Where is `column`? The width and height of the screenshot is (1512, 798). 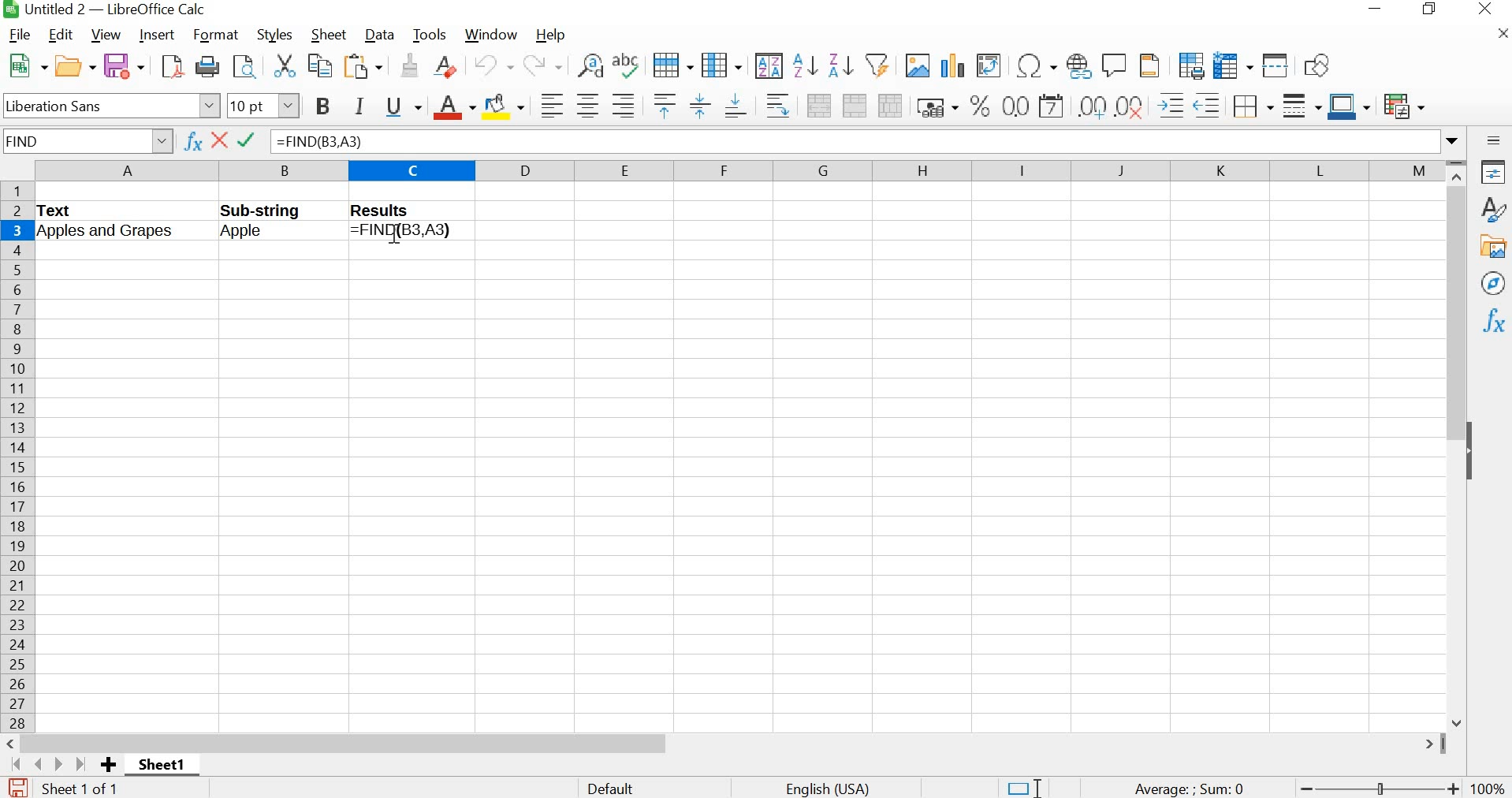
column is located at coordinates (721, 65).